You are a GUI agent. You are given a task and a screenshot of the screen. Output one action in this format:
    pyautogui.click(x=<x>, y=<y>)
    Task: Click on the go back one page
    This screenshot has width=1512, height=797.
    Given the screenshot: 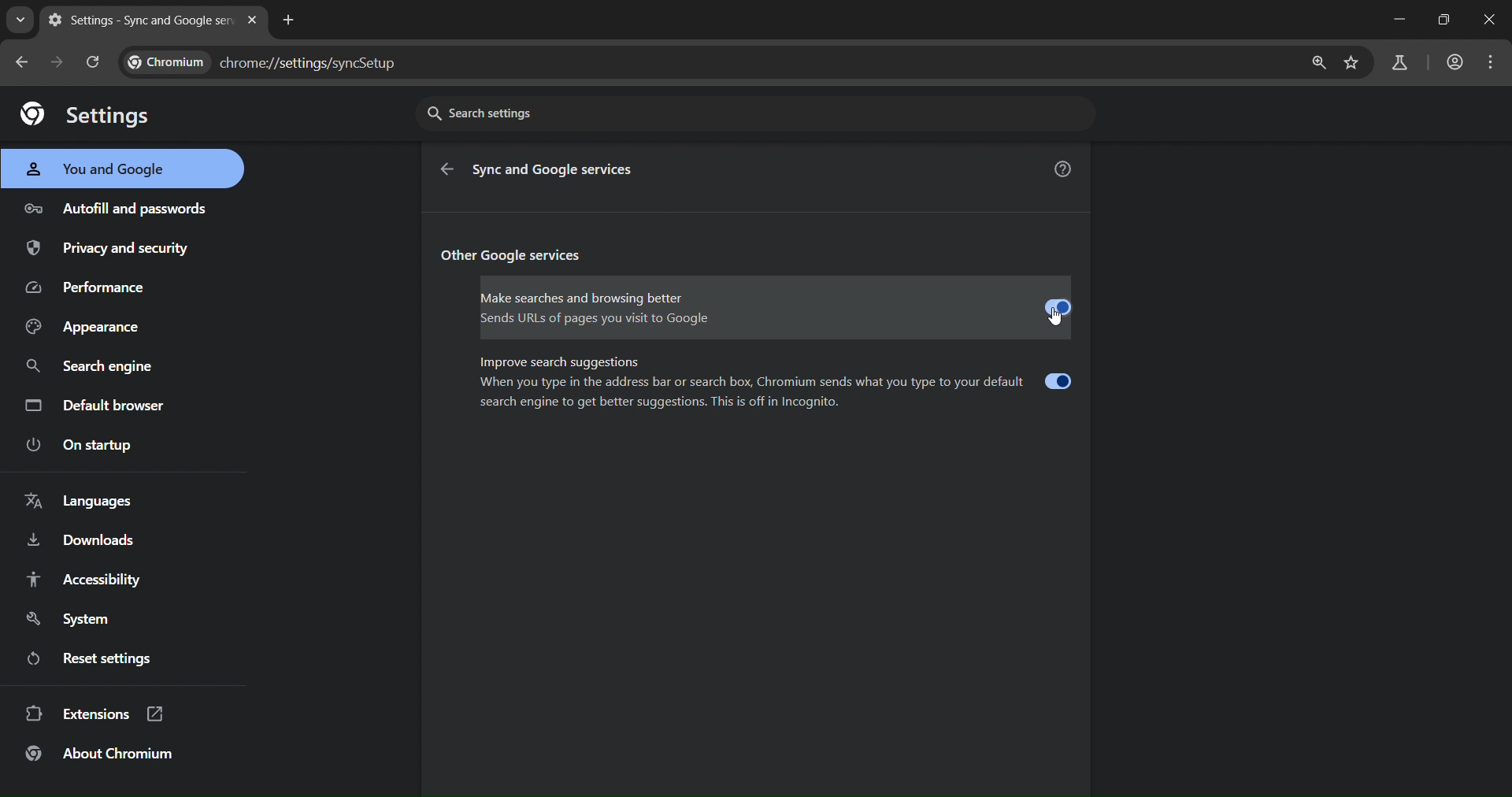 What is the action you would take?
    pyautogui.click(x=25, y=63)
    